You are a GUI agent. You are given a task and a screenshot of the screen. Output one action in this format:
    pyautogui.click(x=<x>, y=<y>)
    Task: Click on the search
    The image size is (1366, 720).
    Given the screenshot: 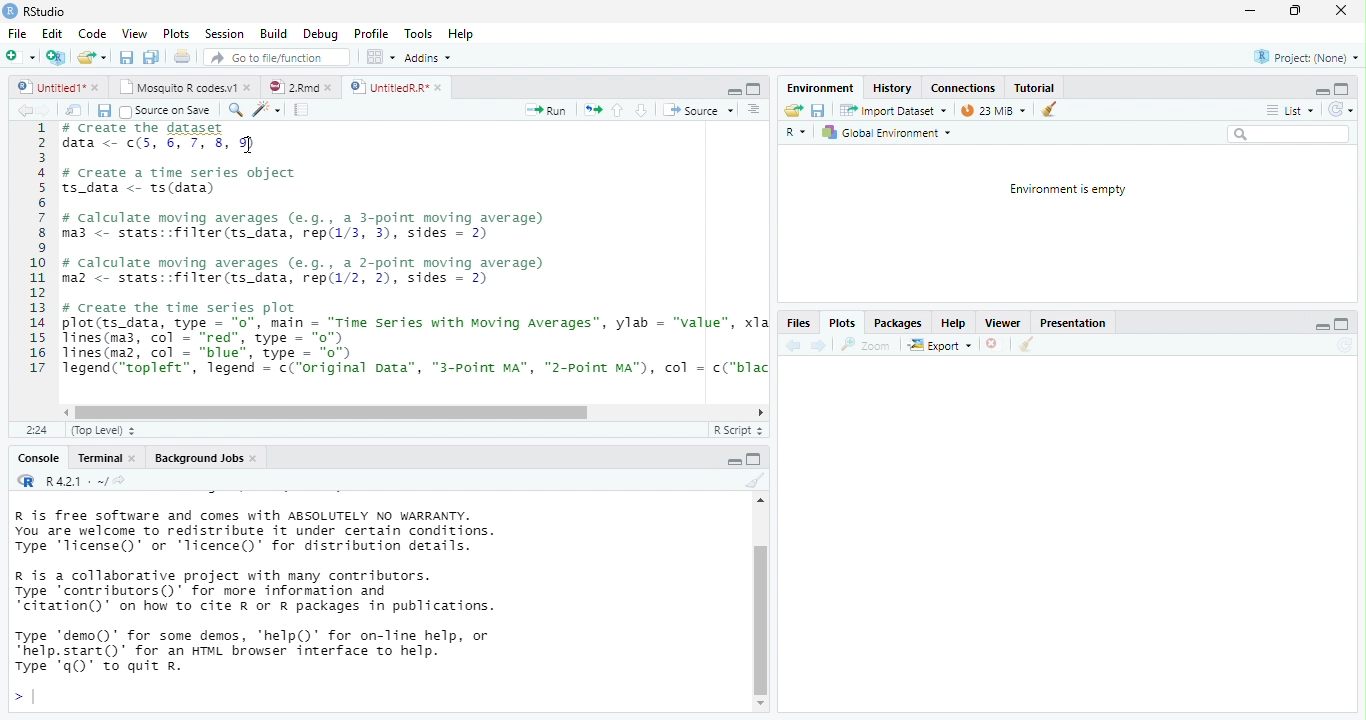 What is the action you would take?
    pyautogui.click(x=233, y=110)
    